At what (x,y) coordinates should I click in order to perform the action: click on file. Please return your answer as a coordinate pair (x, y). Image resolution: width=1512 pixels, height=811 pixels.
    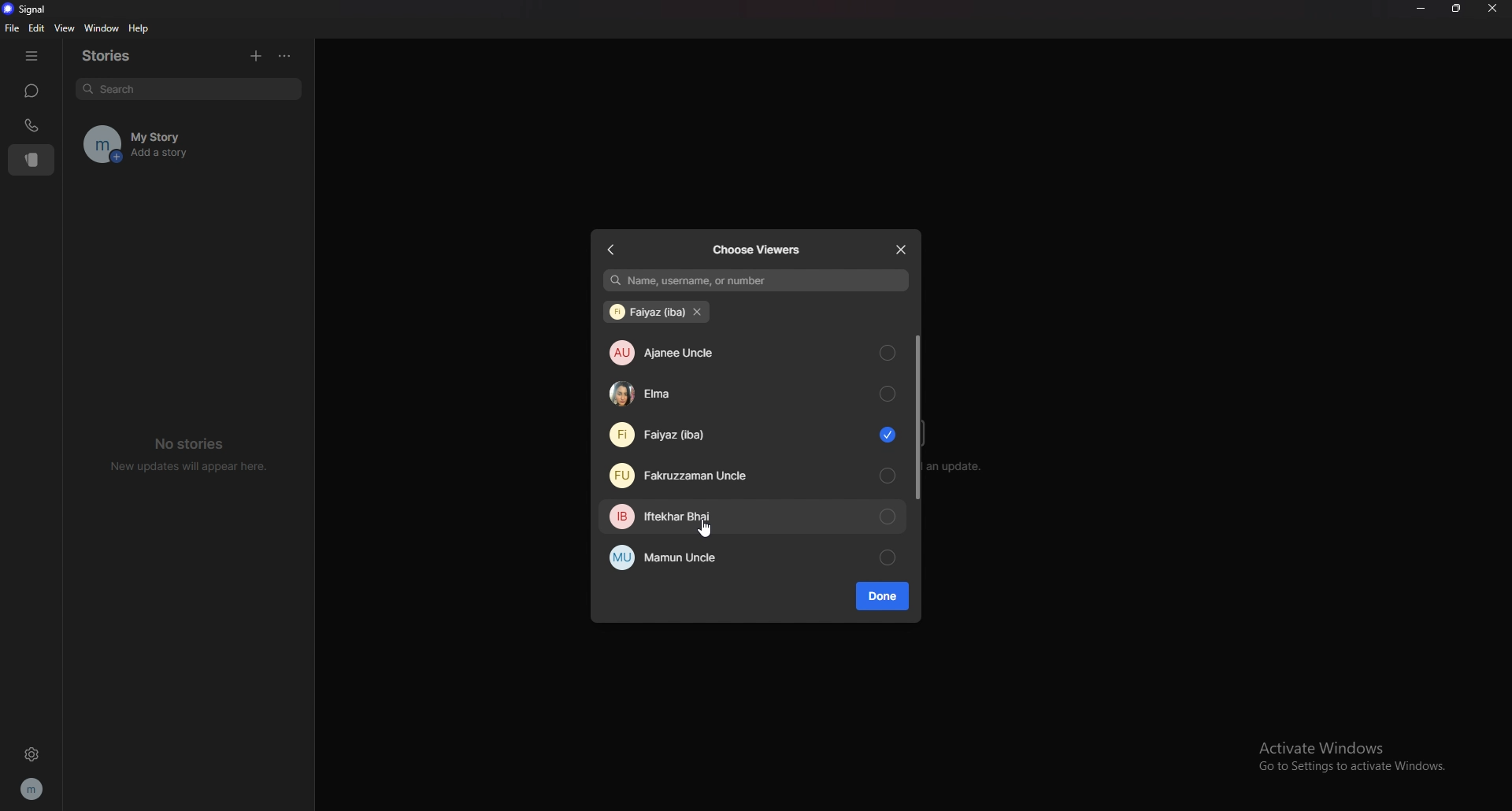
    Looking at the image, I should click on (12, 28).